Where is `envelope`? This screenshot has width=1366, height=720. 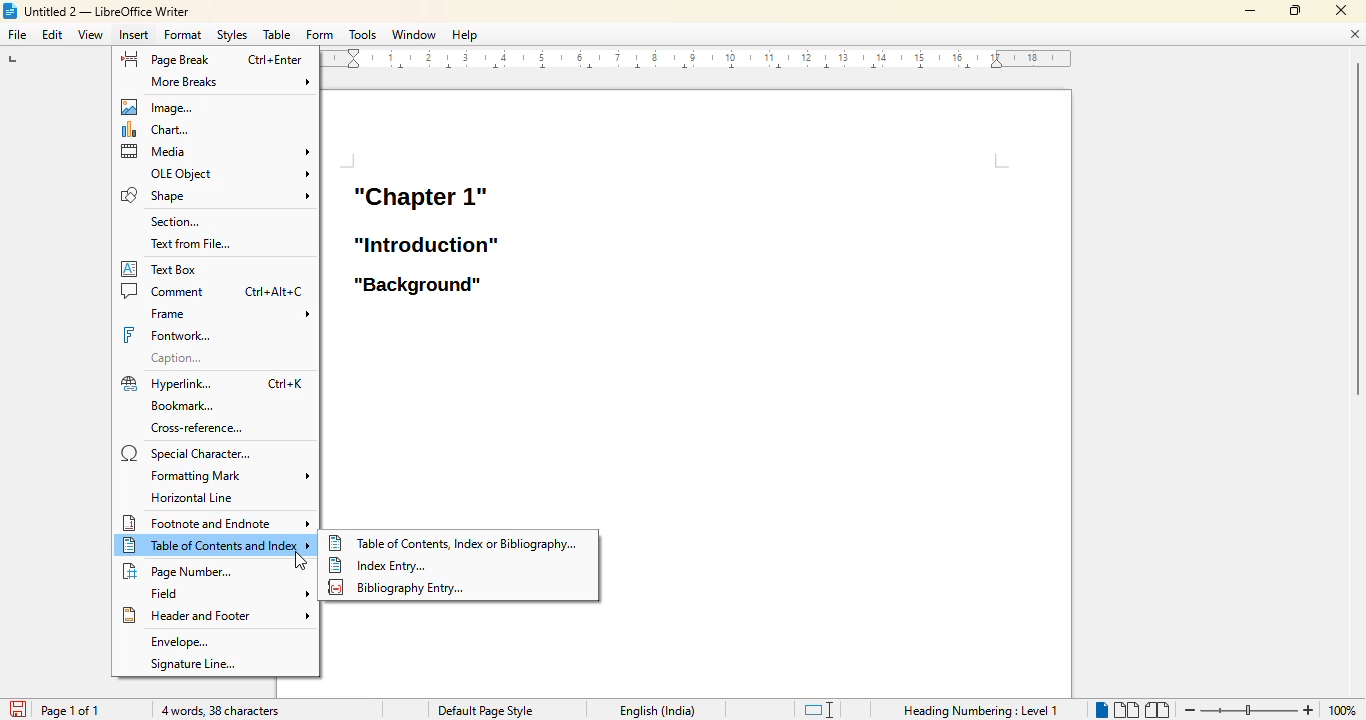 envelope is located at coordinates (181, 643).